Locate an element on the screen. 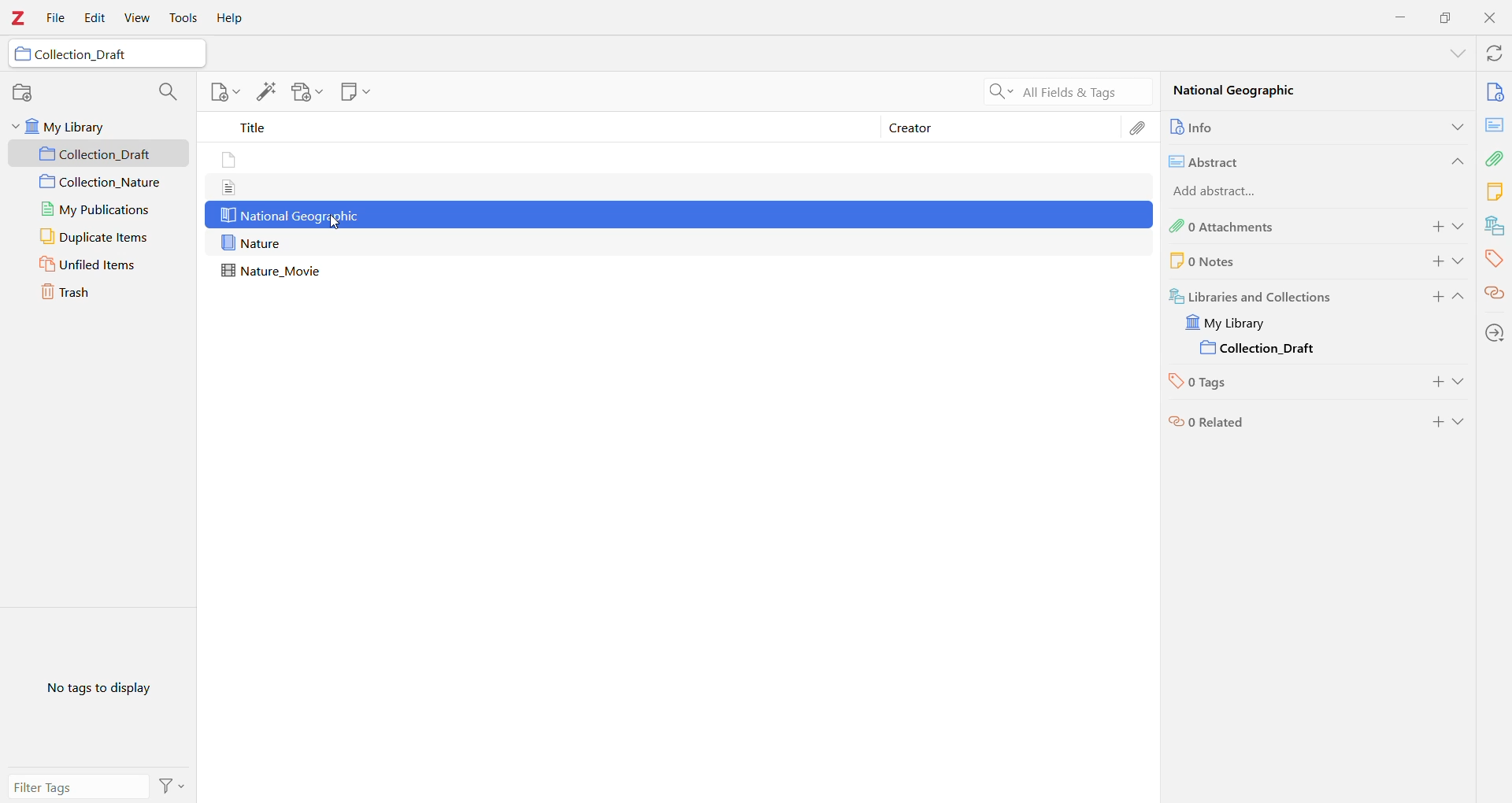 The width and height of the screenshot is (1512, 803). Trash is located at coordinates (99, 294).